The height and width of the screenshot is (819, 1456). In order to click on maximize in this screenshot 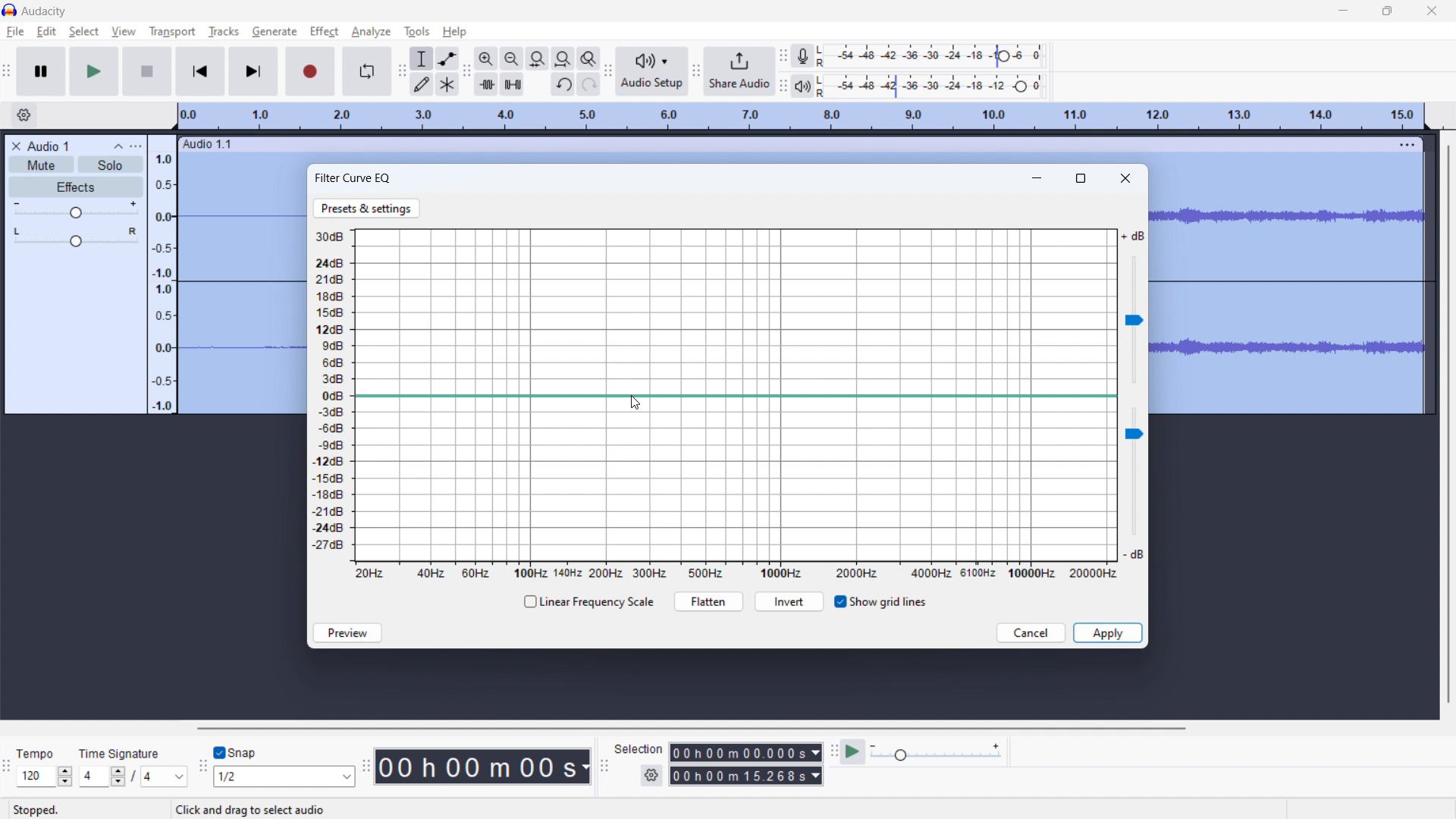, I will do `click(1082, 177)`.